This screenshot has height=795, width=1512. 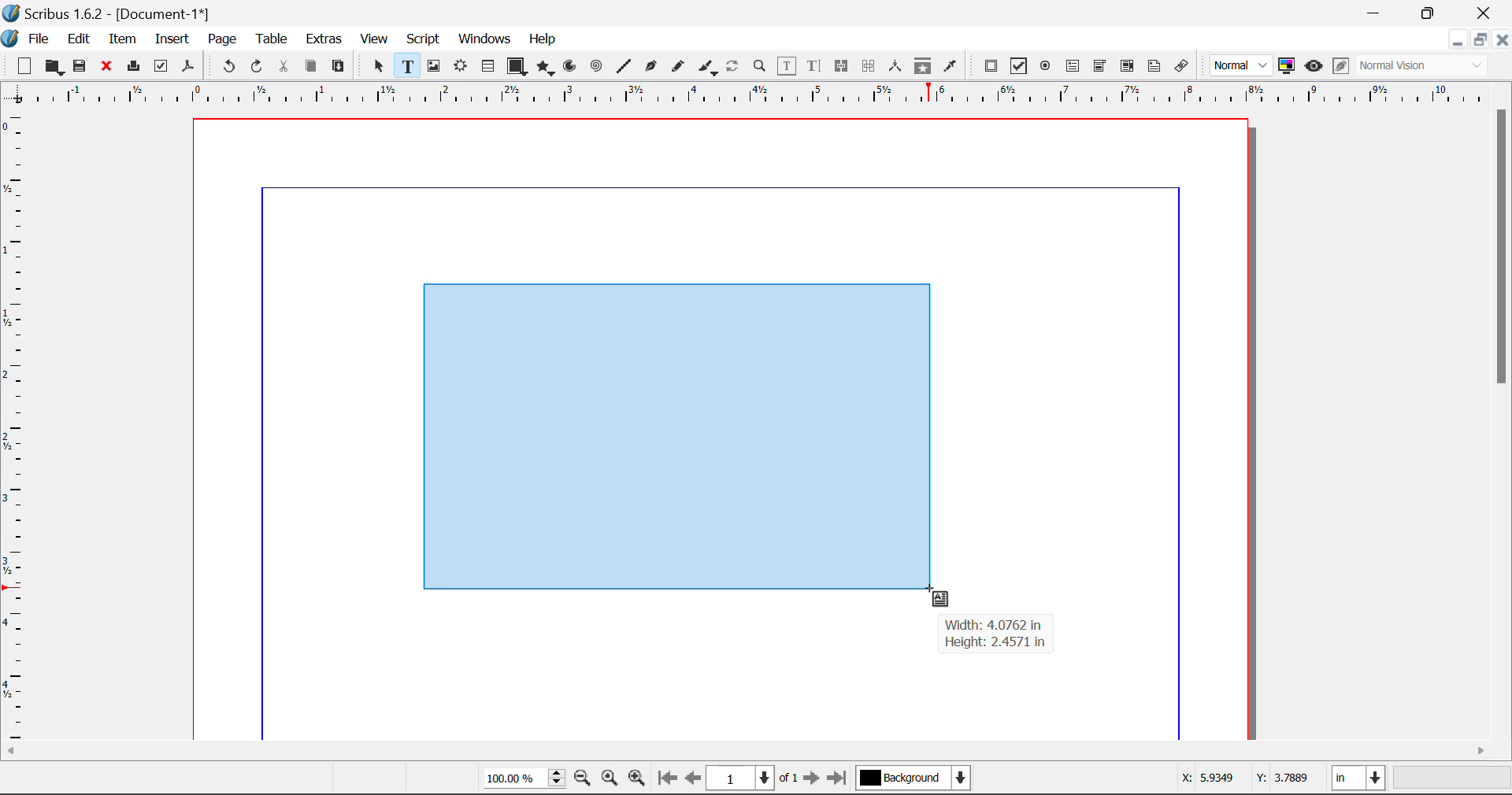 What do you see at coordinates (1314, 66) in the screenshot?
I see `Preview Mode` at bounding box center [1314, 66].